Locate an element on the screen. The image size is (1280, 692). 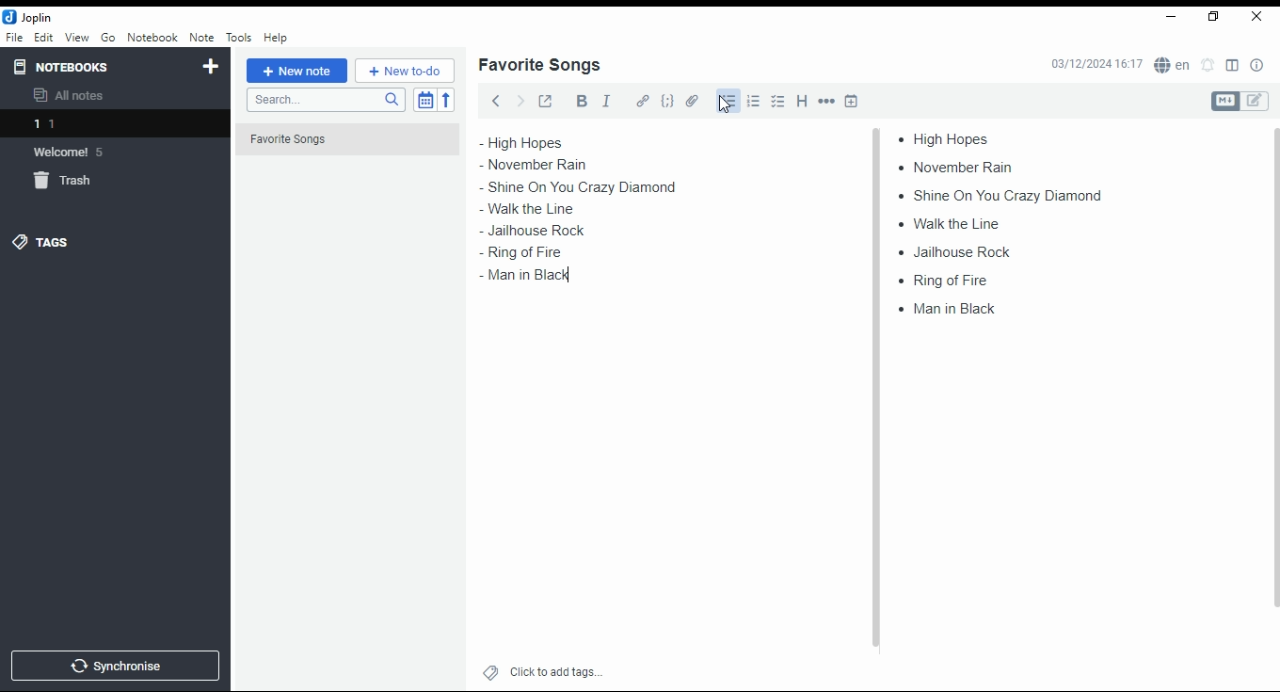
Favorite Songs is located at coordinates (337, 140).